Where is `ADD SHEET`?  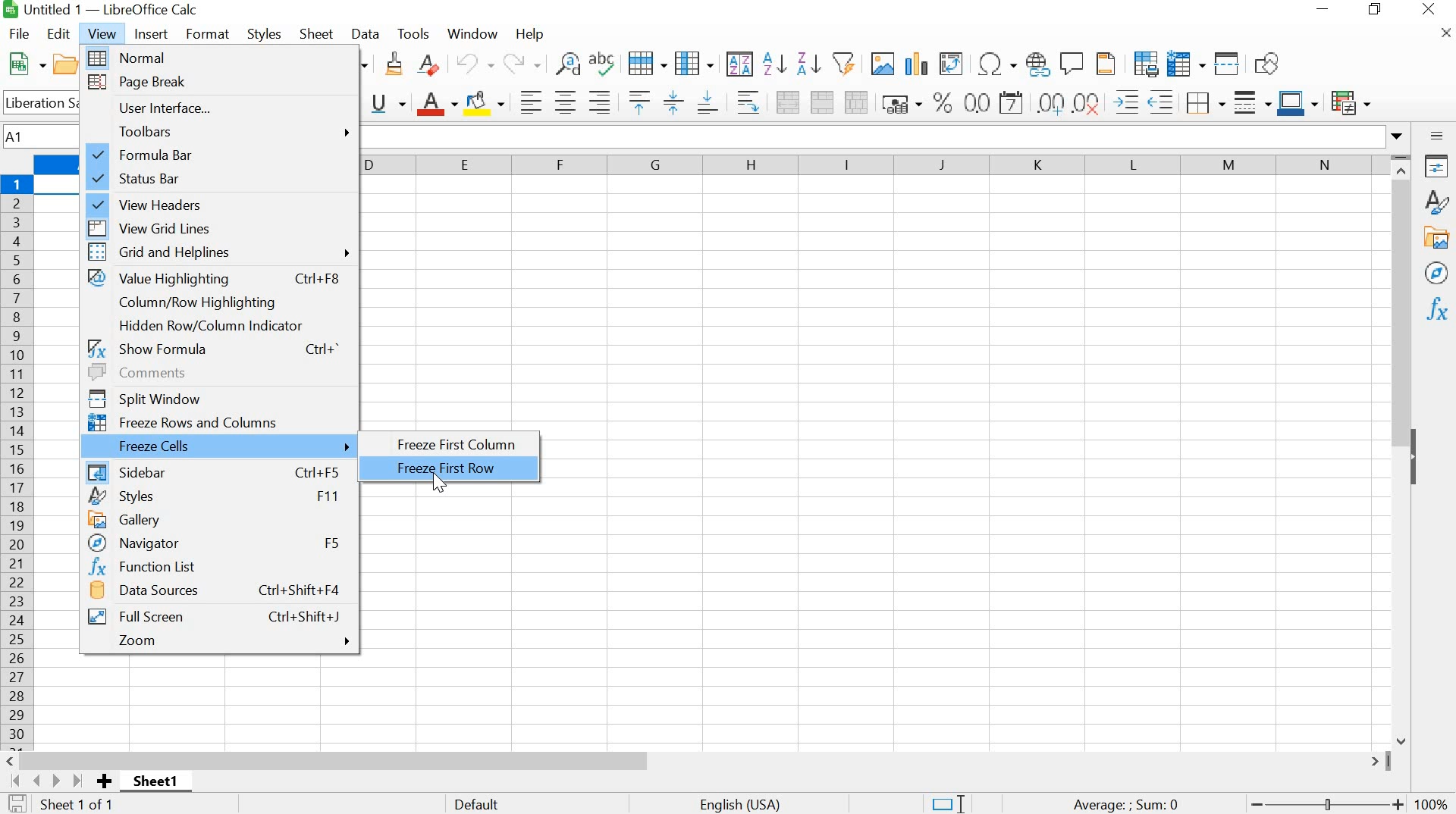
ADD SHEET is located at coordinates (105, 782).